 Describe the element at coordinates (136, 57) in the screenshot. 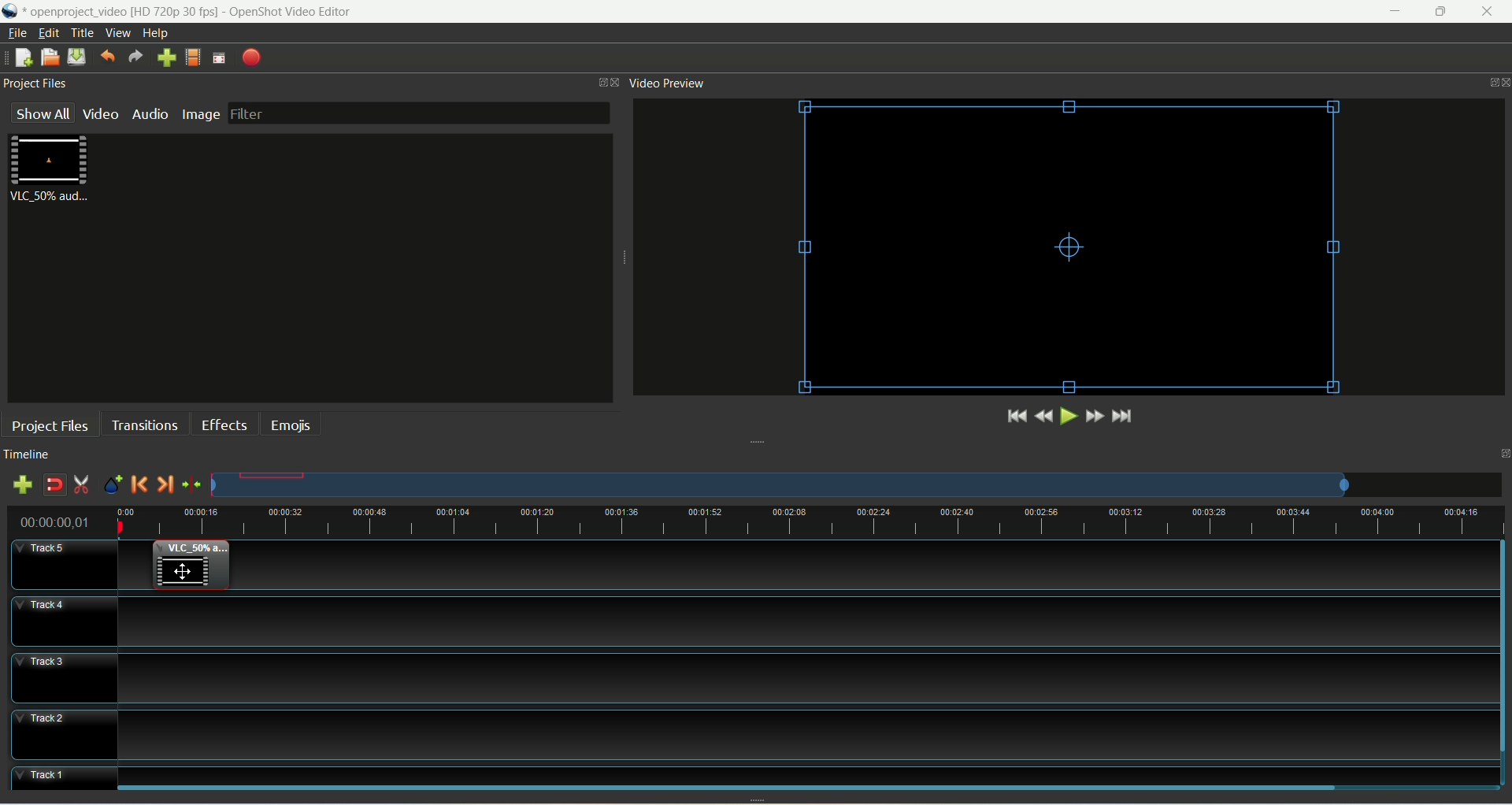

I see `redo` at that location.